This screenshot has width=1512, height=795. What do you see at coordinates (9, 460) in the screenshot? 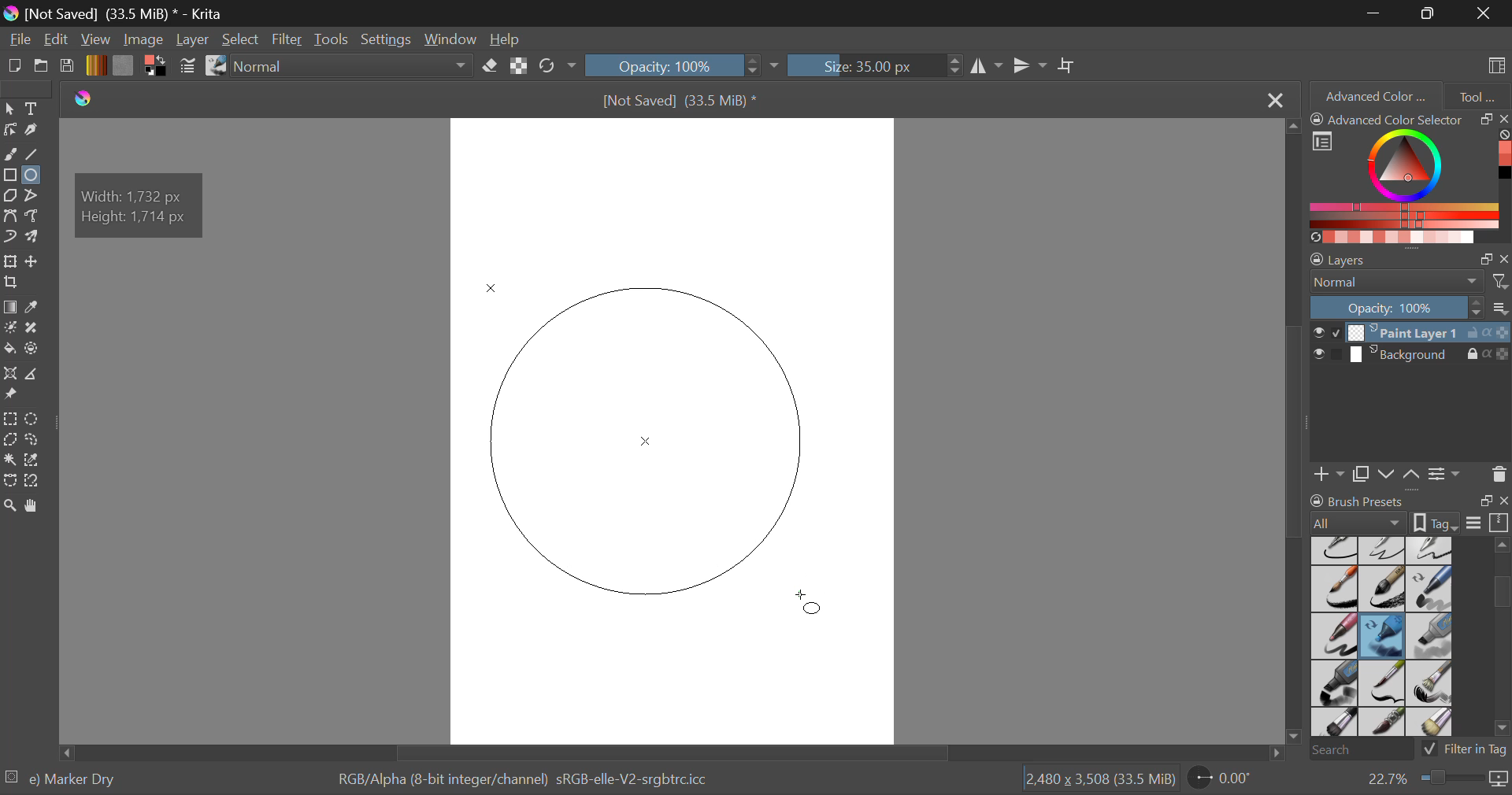
I see `Continuous Selection` at bounding box center [9, 460].